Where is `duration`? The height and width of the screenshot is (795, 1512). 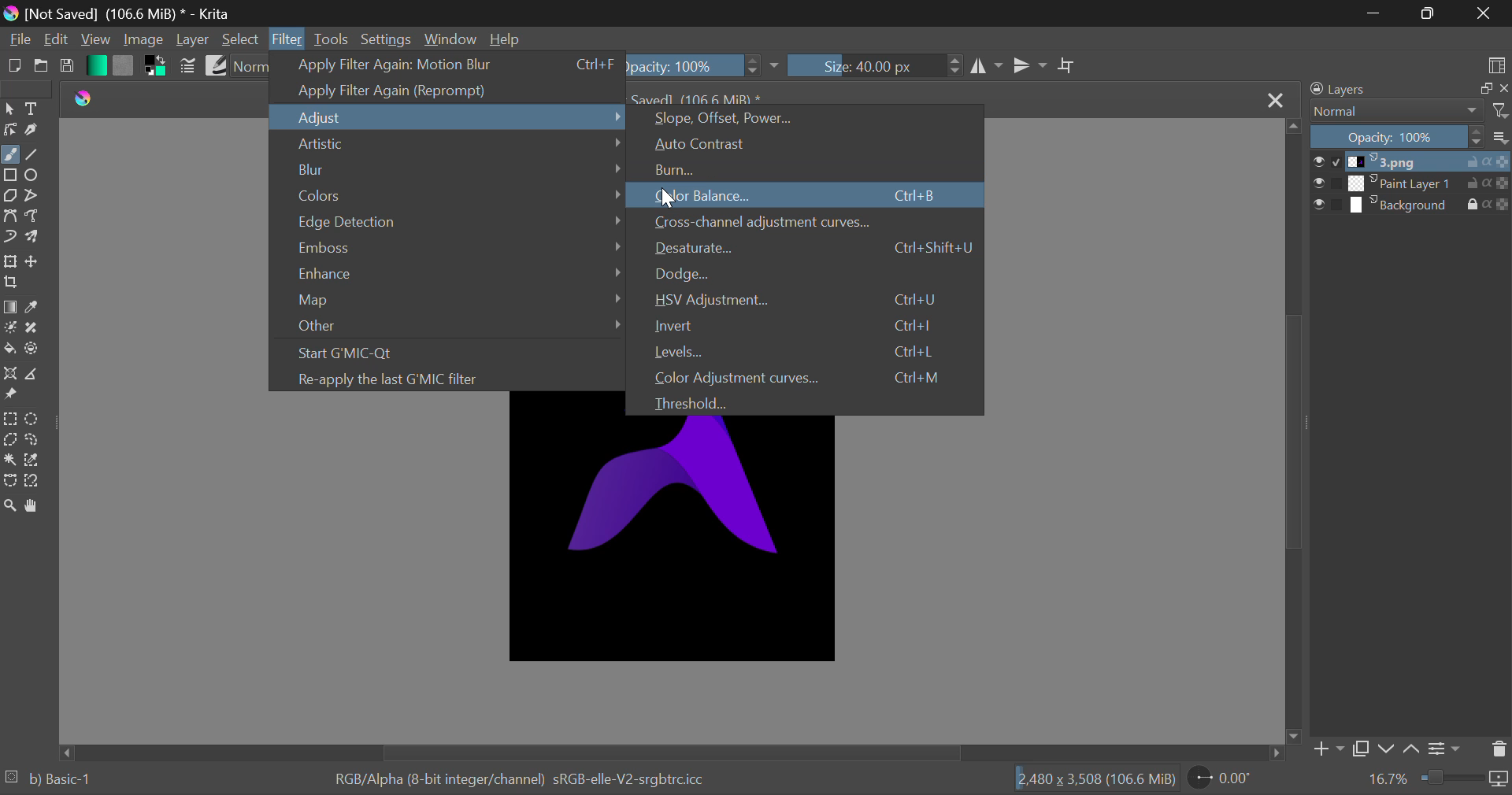
duration is located at coordinates (1464, 779).